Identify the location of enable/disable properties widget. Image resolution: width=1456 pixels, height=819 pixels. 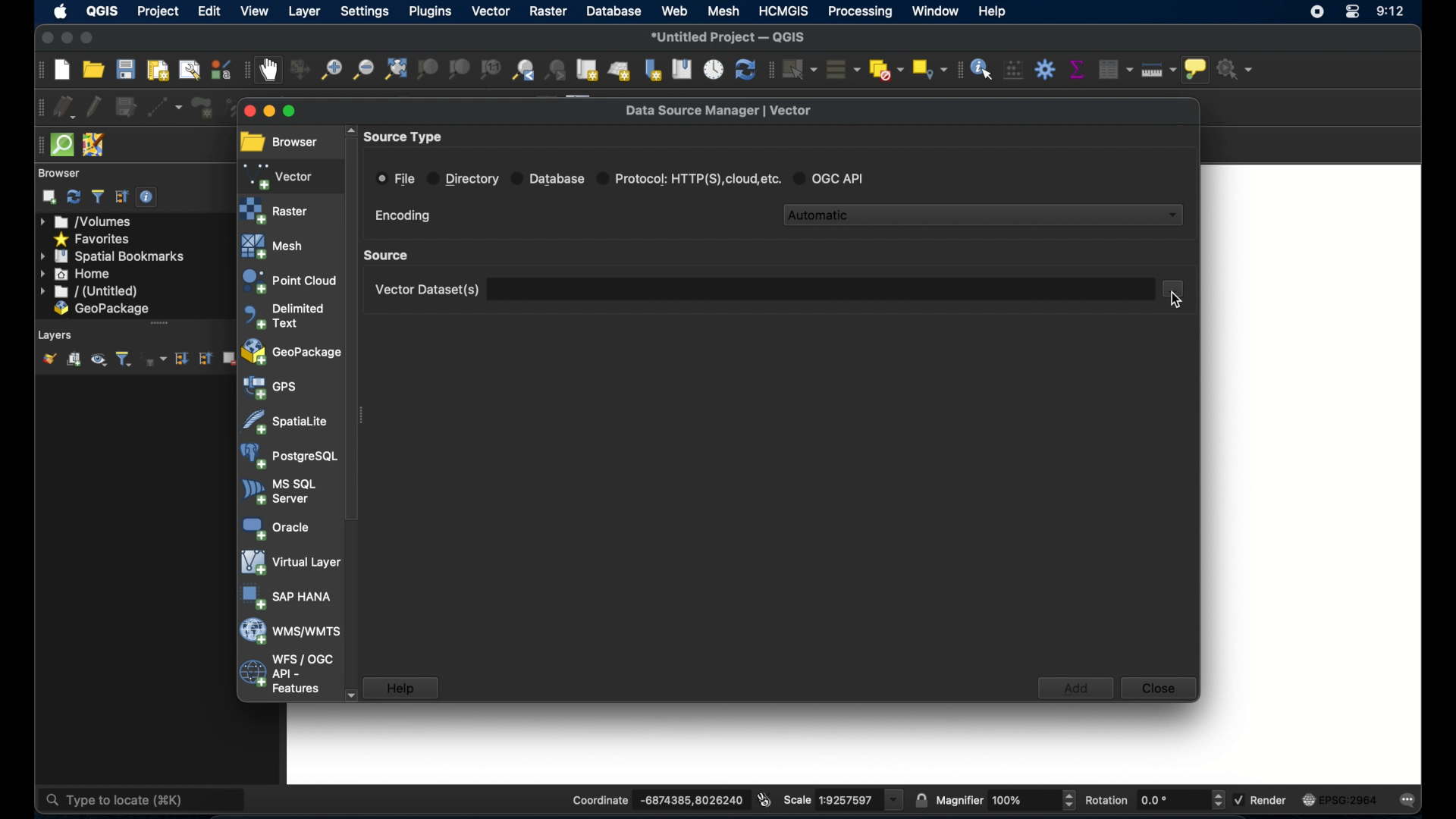
(149, 199).